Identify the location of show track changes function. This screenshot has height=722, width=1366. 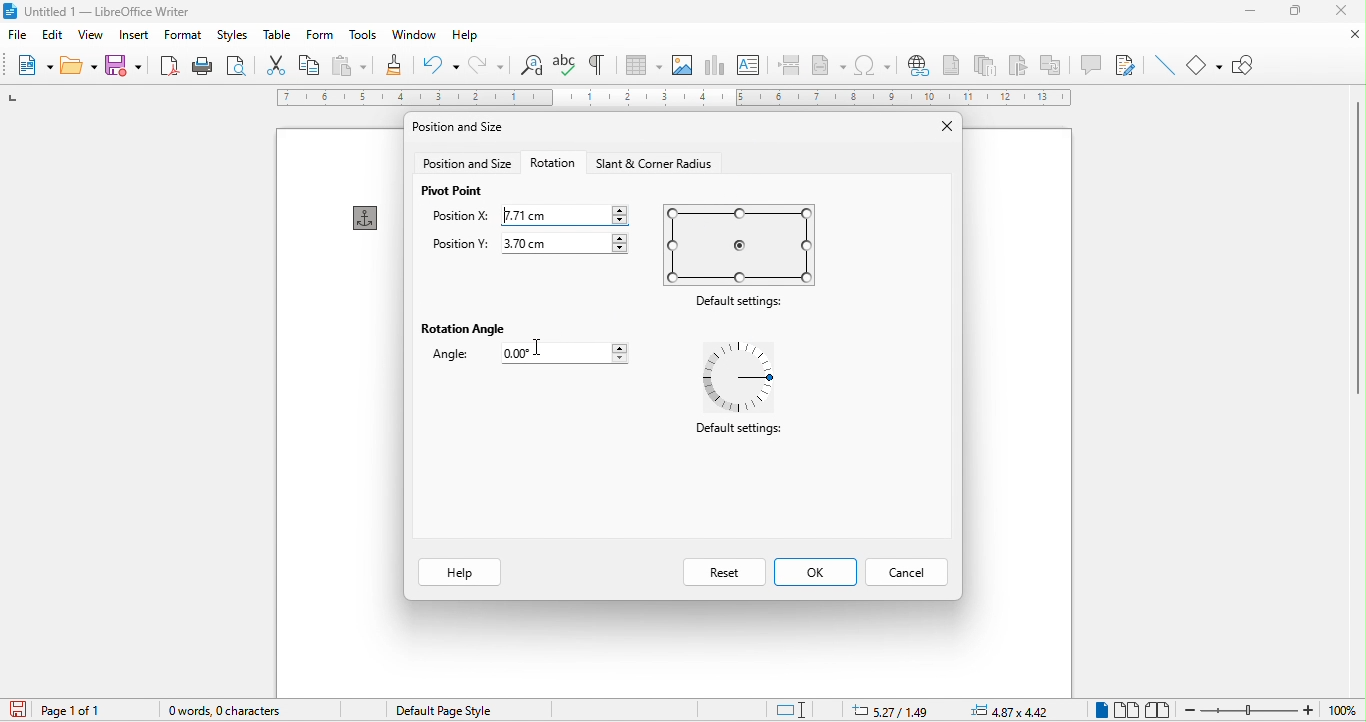
(1125, 64).